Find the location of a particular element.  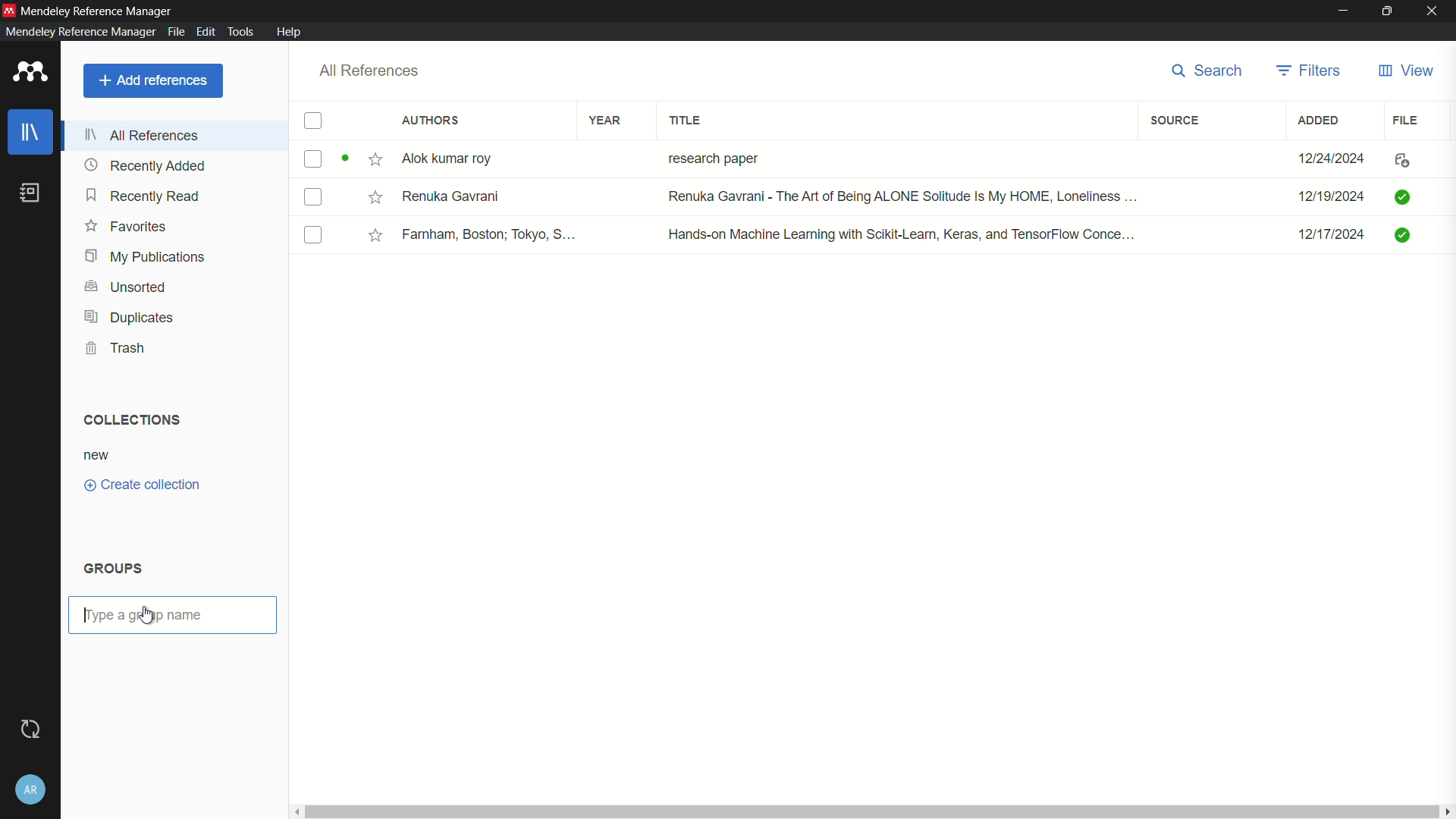

filters is located at coordinates (1309, 70).